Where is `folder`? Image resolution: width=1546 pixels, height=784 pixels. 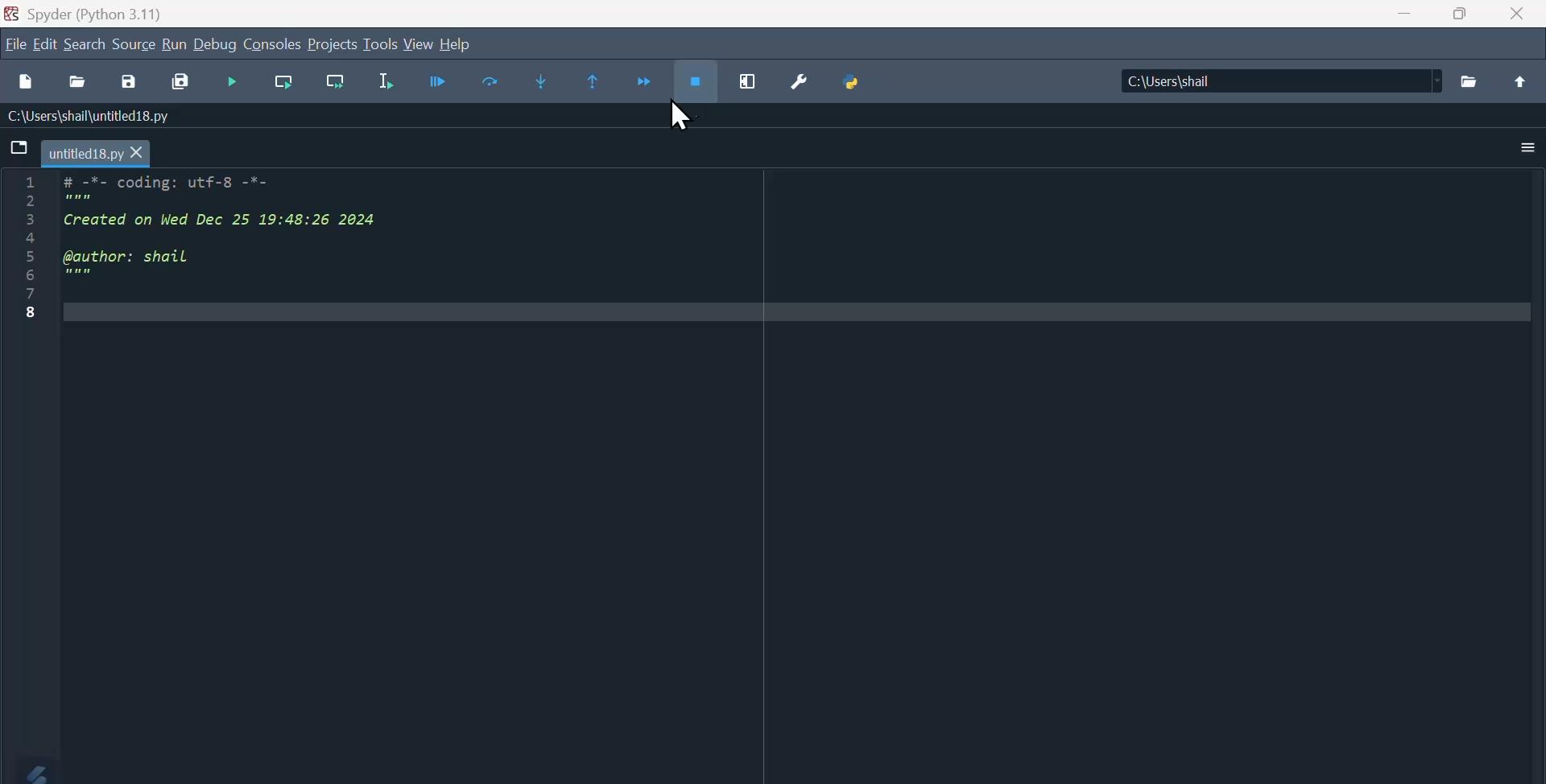 folder is located at coordinates (1466, 83).